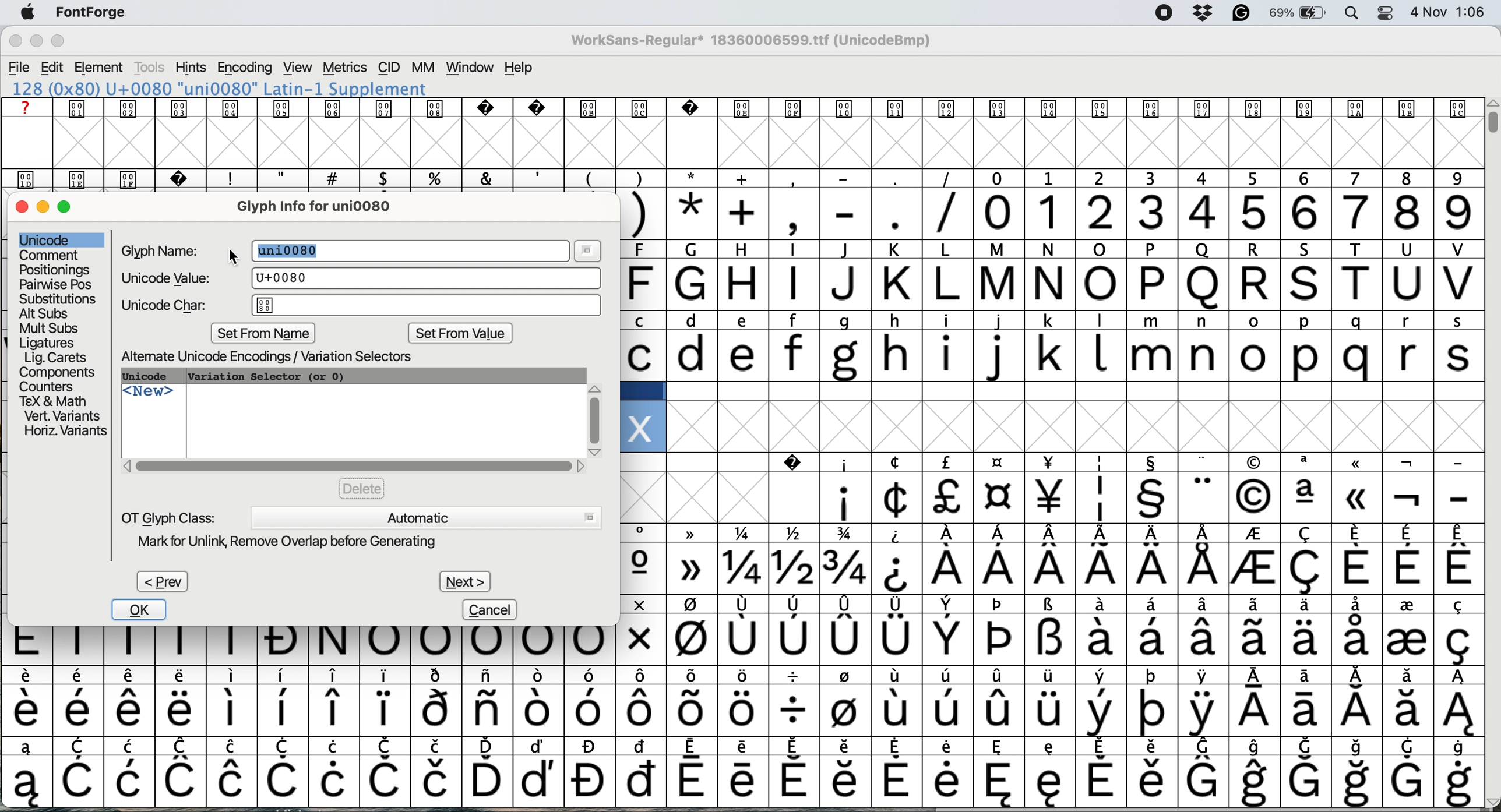  I want to click on lower case letters a to s, so click(1050, 355).